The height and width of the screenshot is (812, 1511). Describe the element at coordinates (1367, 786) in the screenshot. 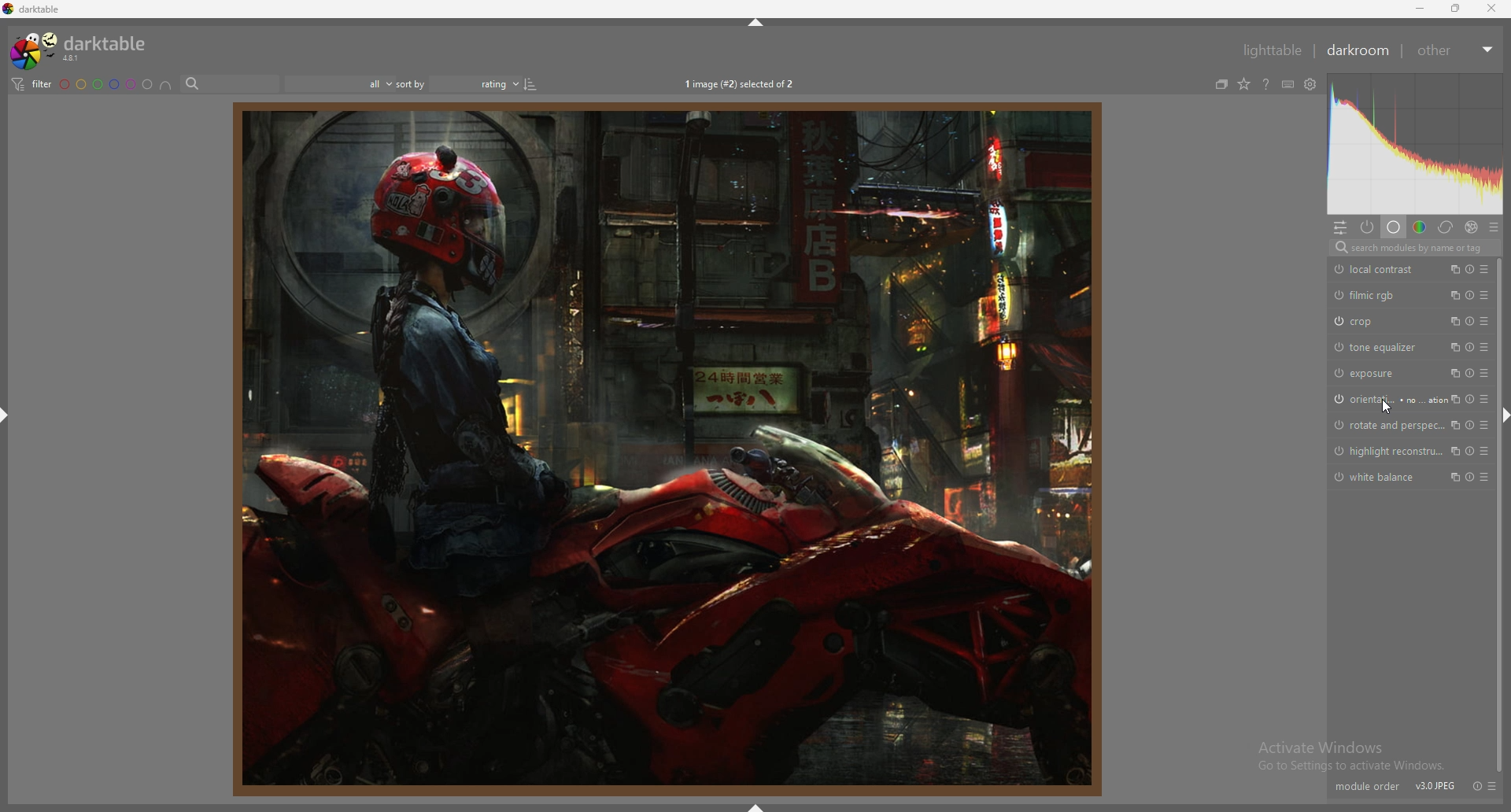

I see `module order` at that location.